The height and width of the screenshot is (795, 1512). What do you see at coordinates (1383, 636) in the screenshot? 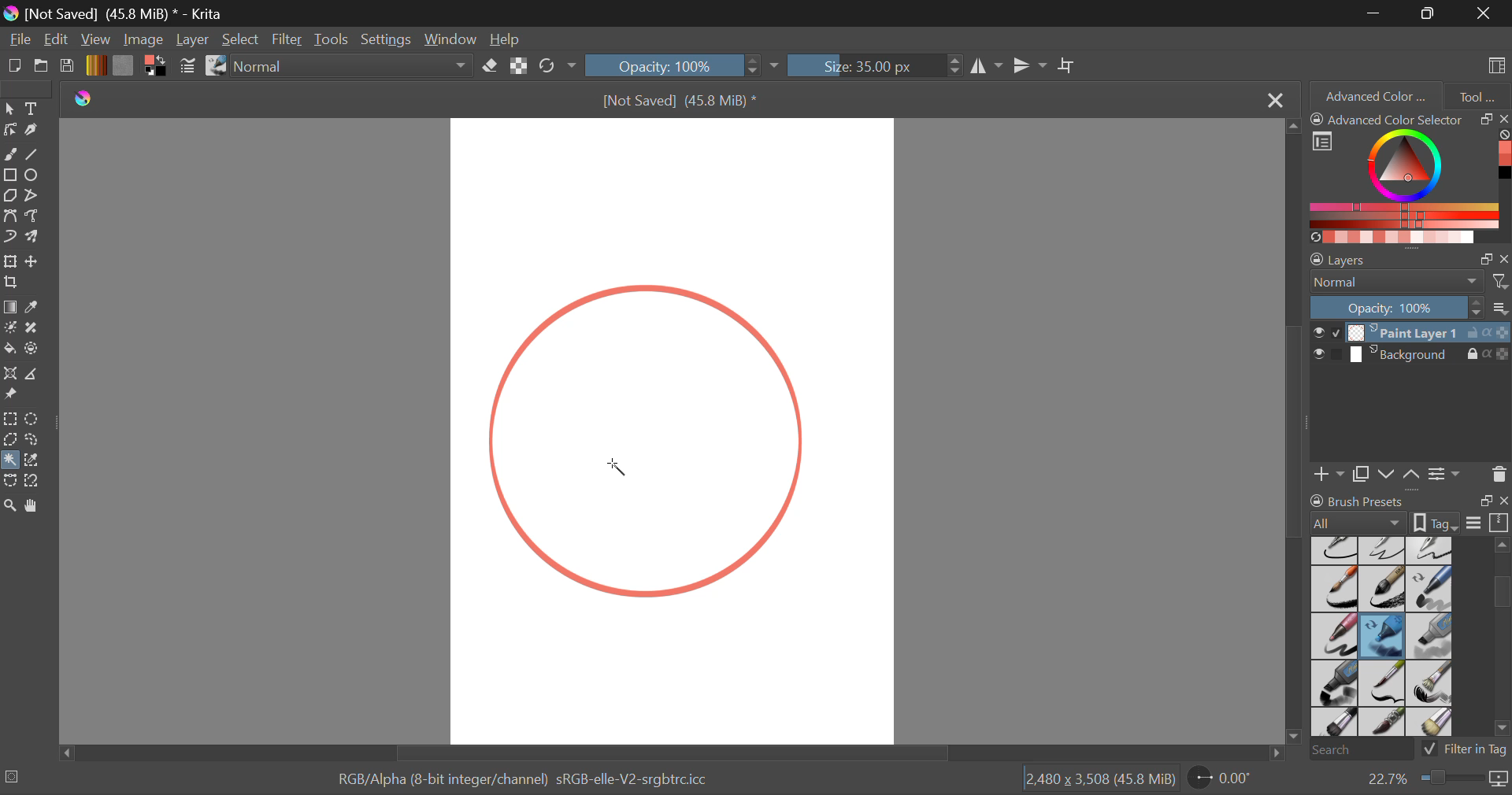
I see `Marker Dry` at bounding box center [1383, 636].